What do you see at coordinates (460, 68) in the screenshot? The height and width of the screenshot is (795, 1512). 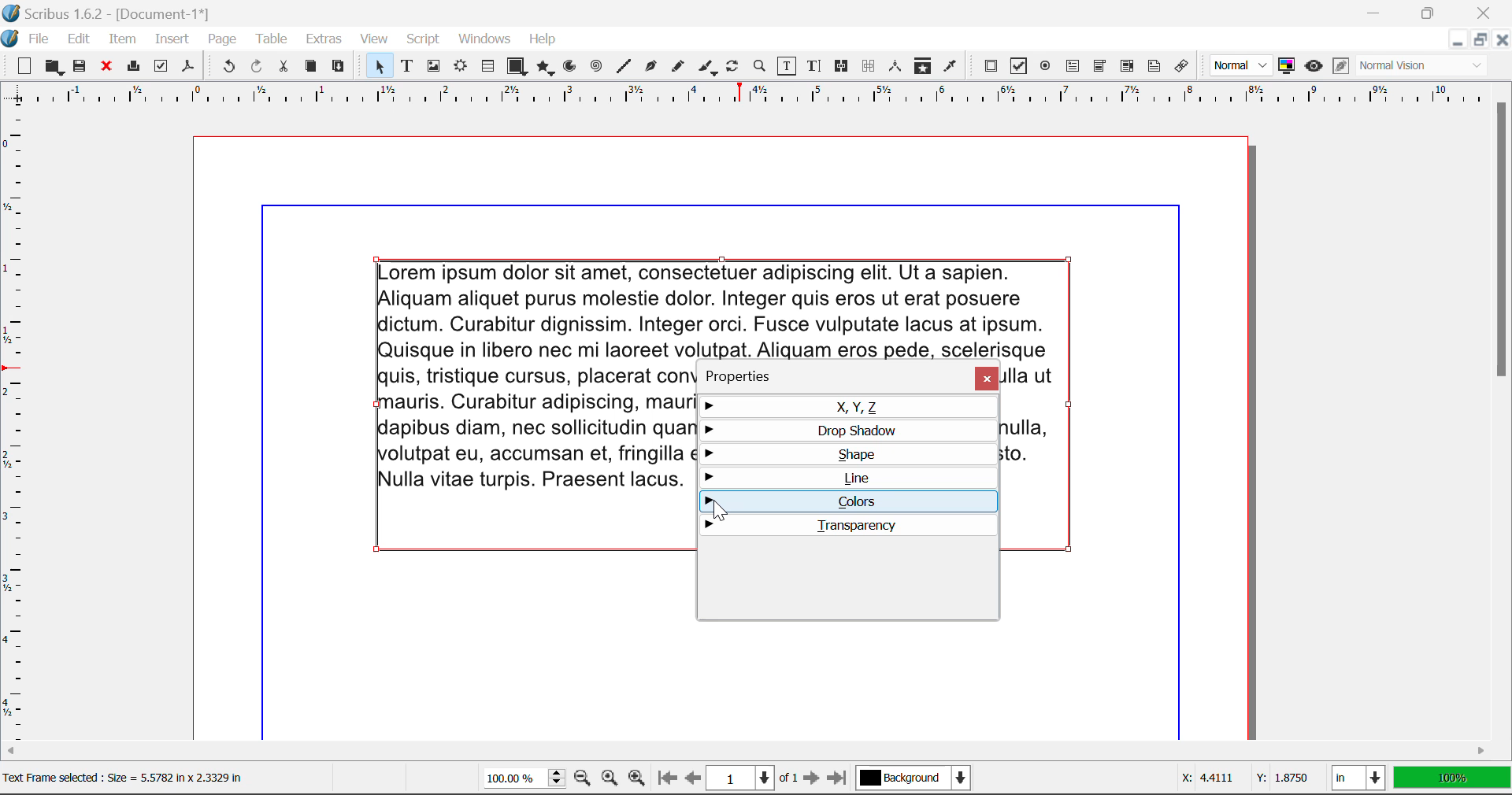 I see `Render Frame` at bounding box center [460, 68].